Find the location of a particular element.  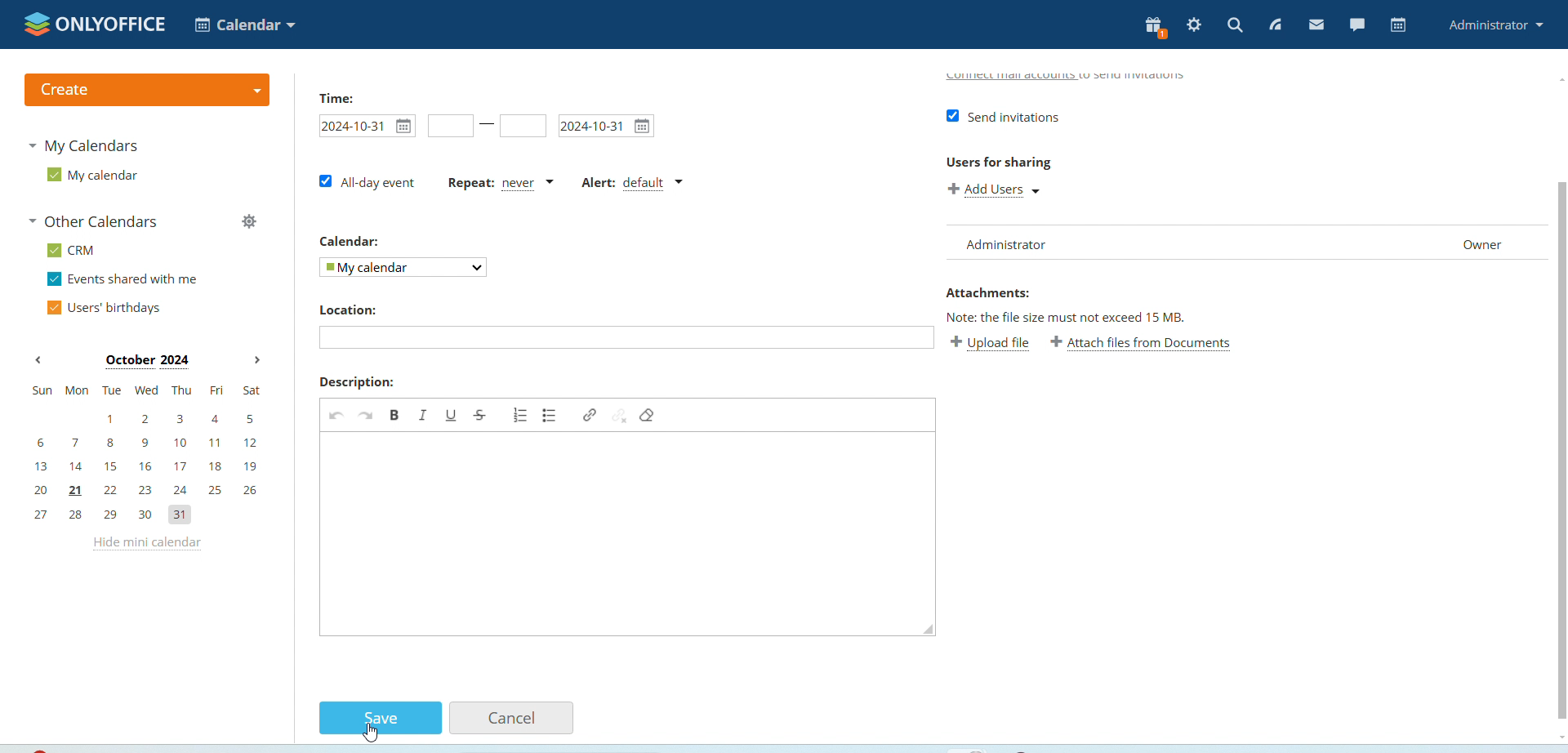

other calendars is located at coordinates (98, 221).